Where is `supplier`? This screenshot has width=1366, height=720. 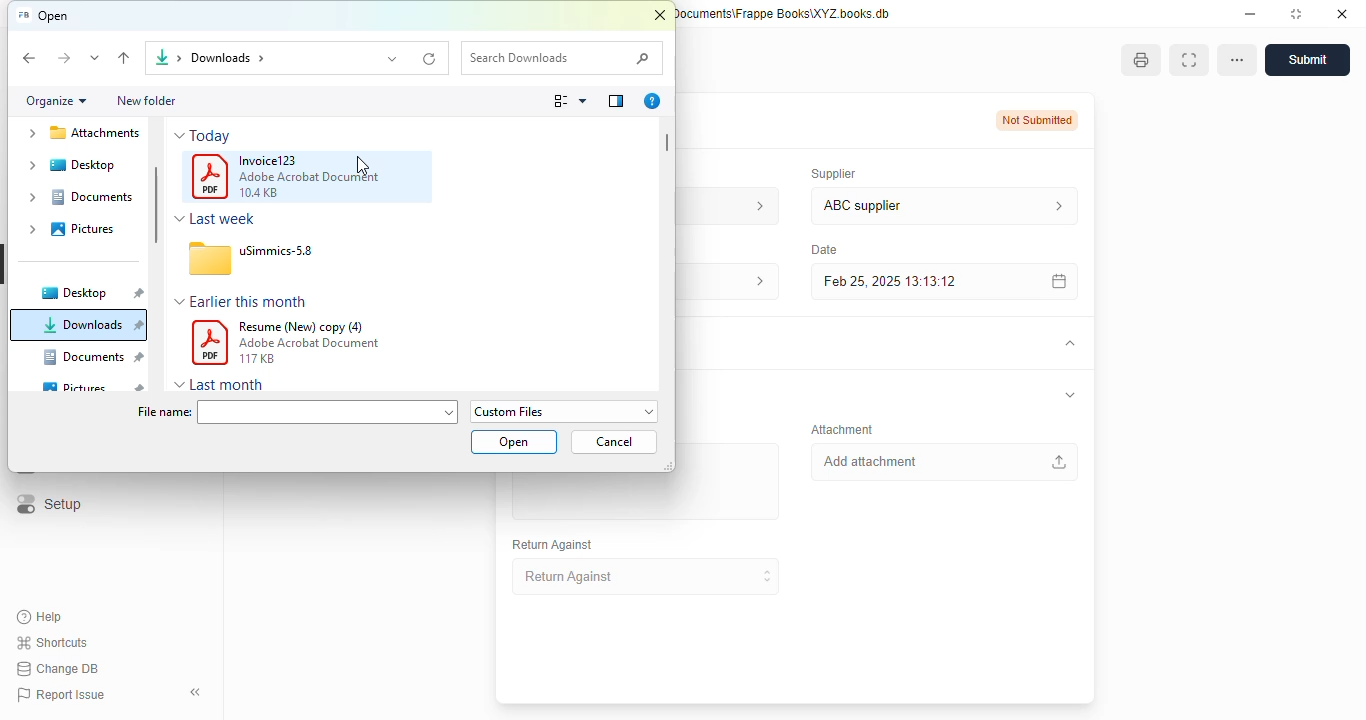
supplier is located at coordinates (829, 173).